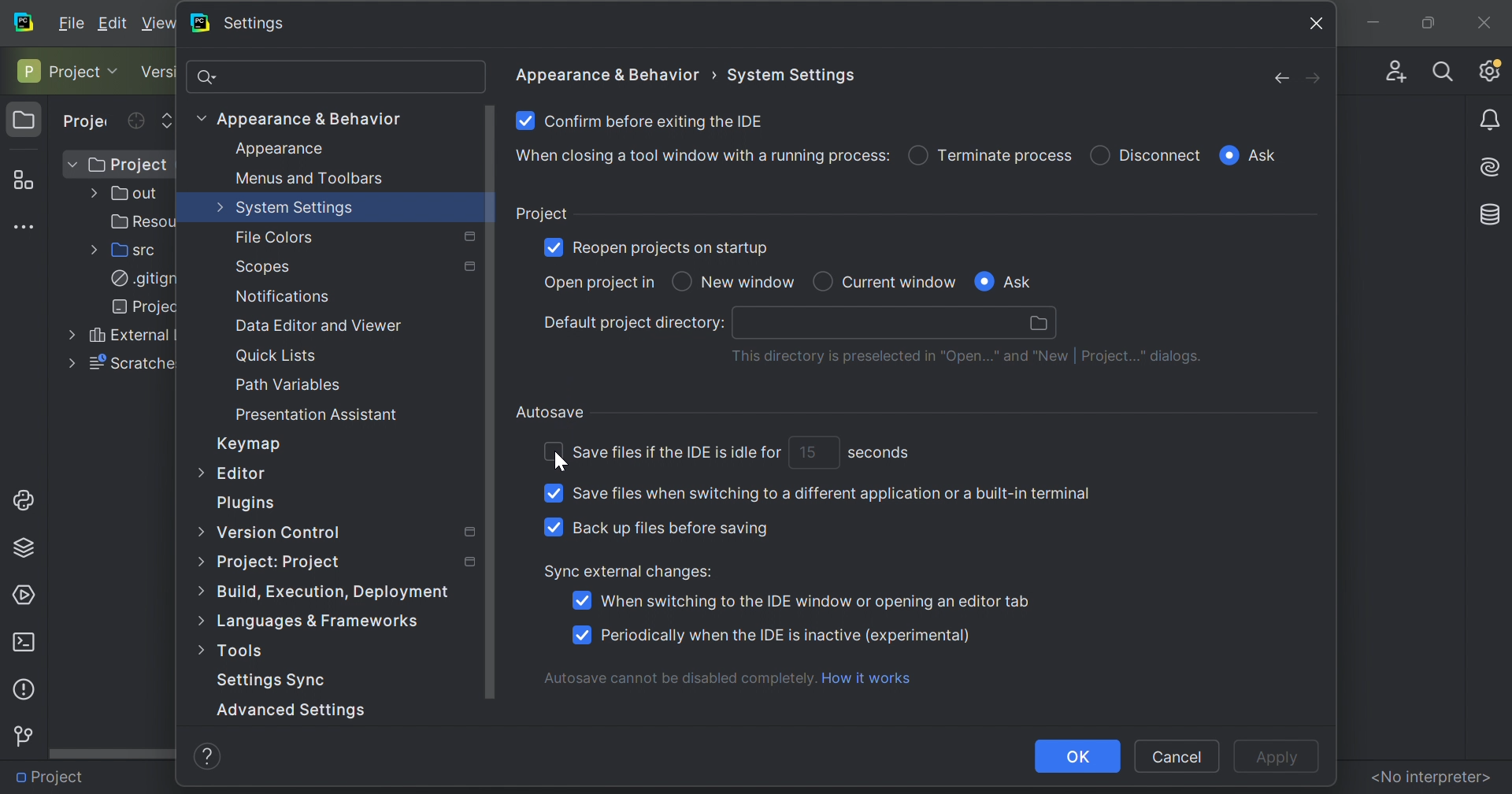  Describe the element at coordinates (679, 453) in the screenshot. I see `Save files if the IDE is idle for` at that location.